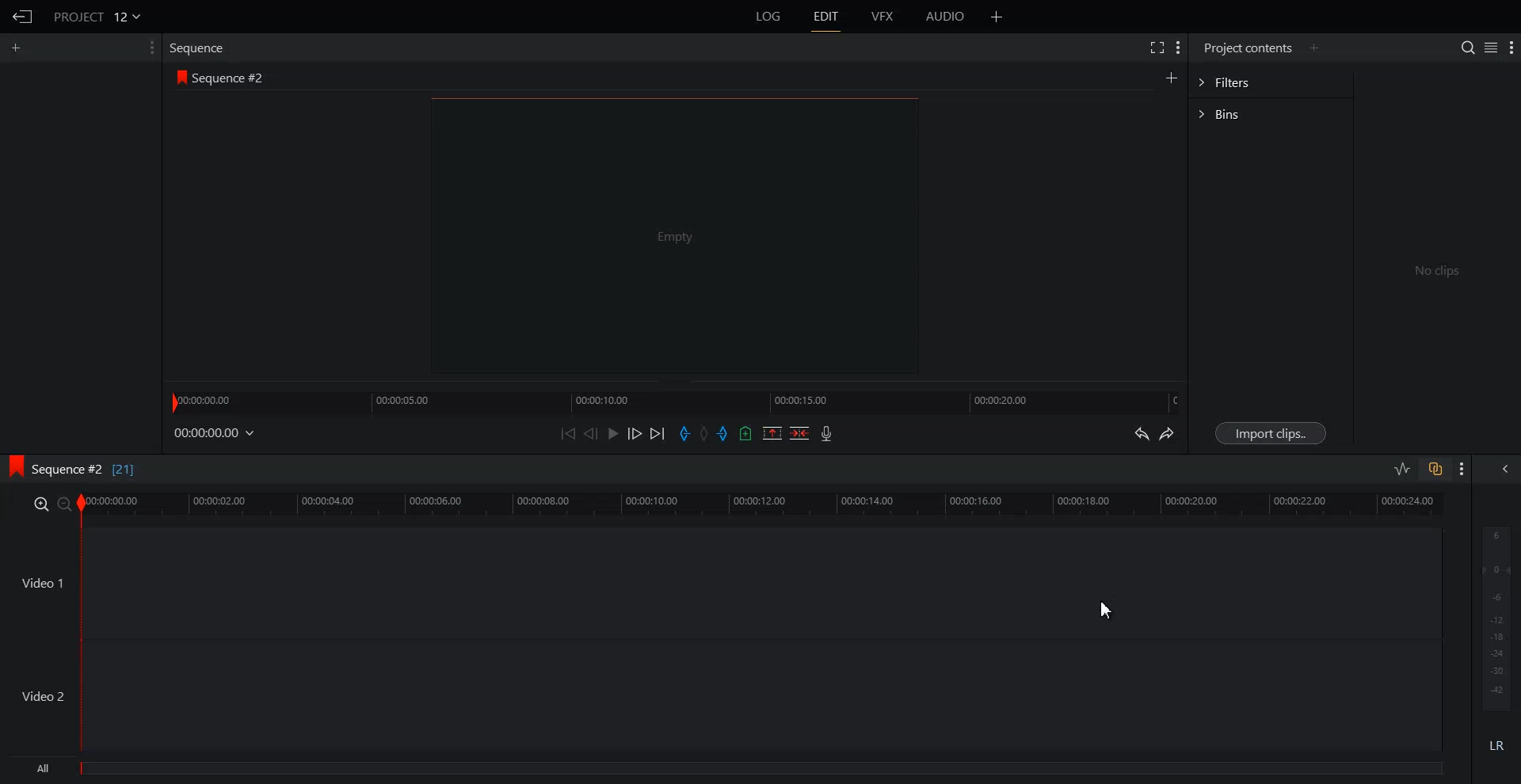 The width and height of the screenshot is (1521, 784). What do you see at coordinates (1158, 48) in the screenshot?
I see `Full Screen` at bounding box center [1158, 48].